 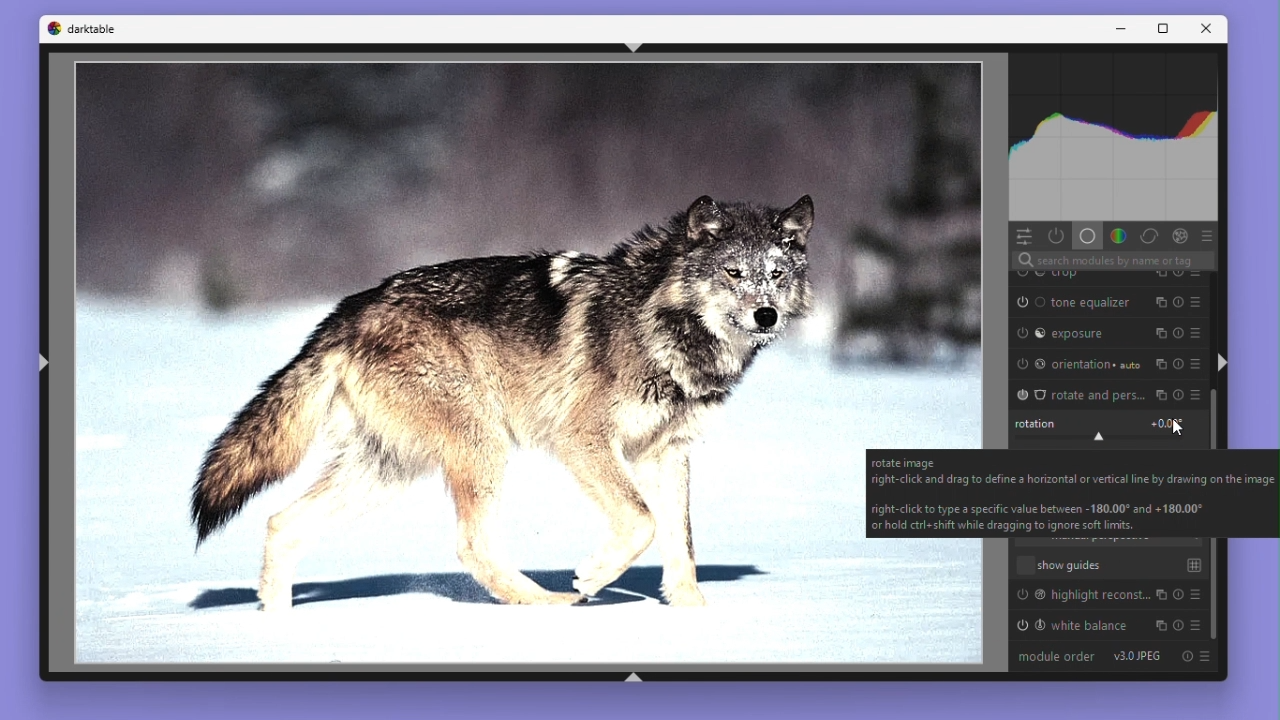 What do you see at coordinates (1117, 30) in the screenshot?
I see `Minimise` at bounding box center [1117, 30].